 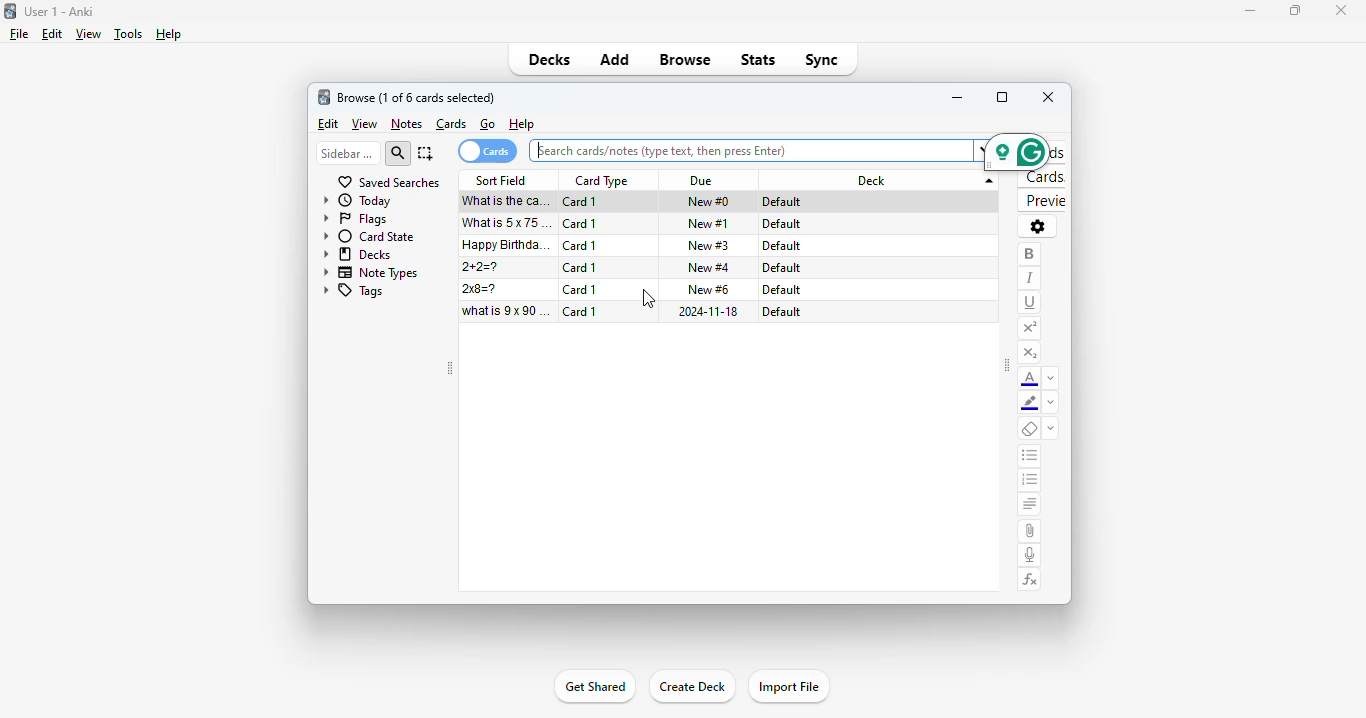 What do you see at coordinates (488, 124) in the screenshot?
I see `go` at bounding box center [488, 124].